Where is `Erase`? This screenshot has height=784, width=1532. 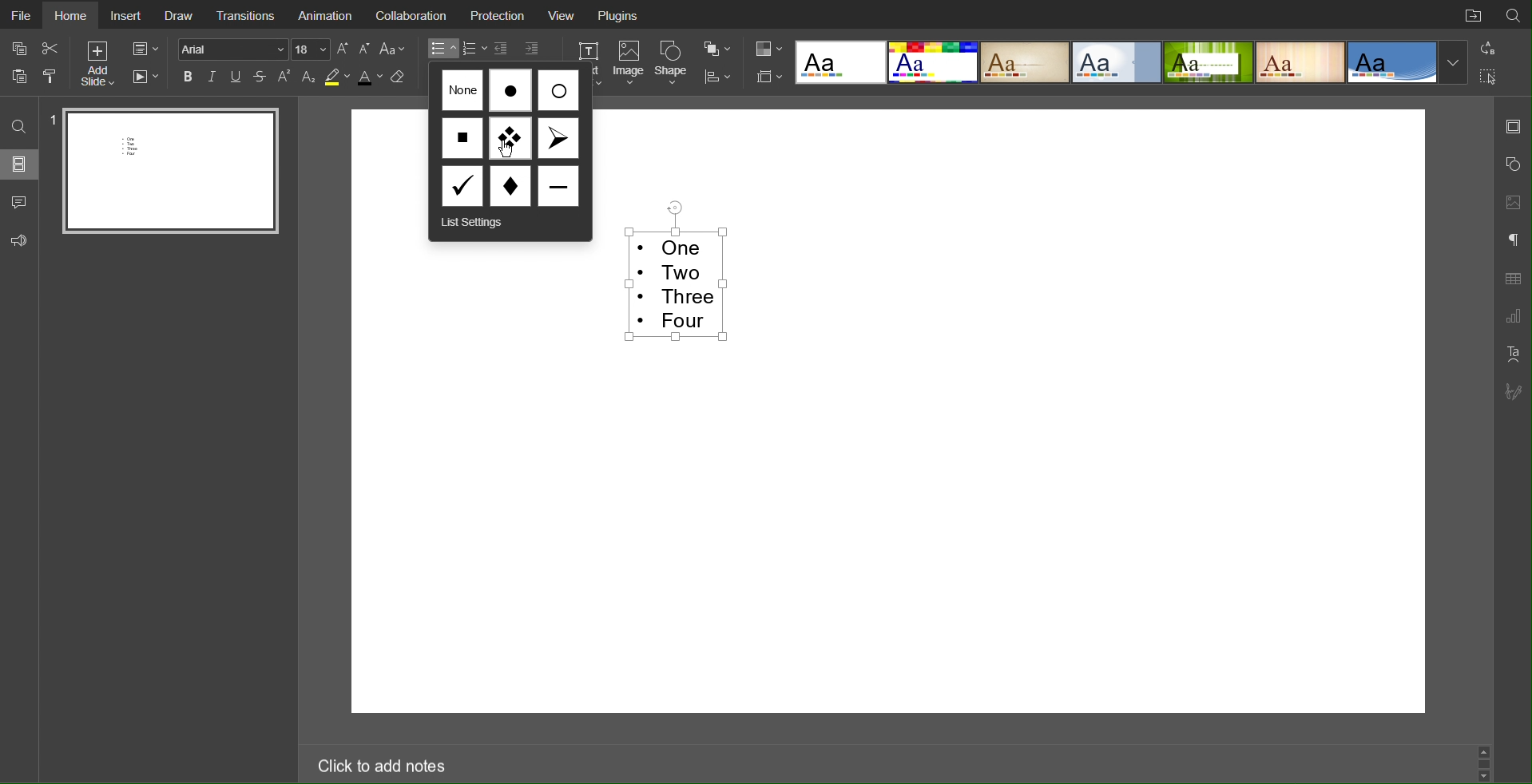 Erase is located at coordinates (399, 76).